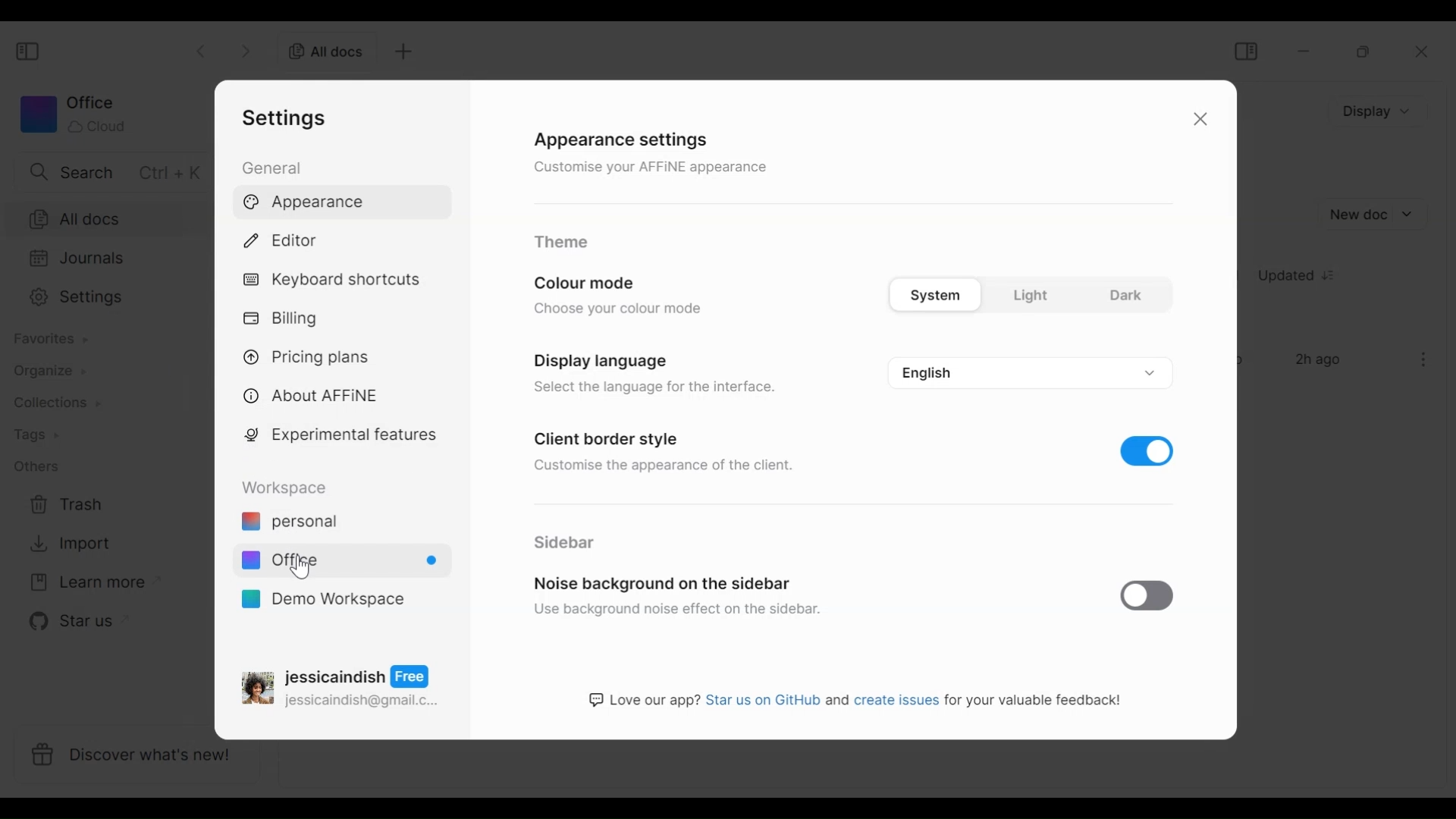 This screenshot has width=1456, height=819. Describe the element at coordinates (1147, 450) in the screenshot. I see `Enable/Disable` at that location.